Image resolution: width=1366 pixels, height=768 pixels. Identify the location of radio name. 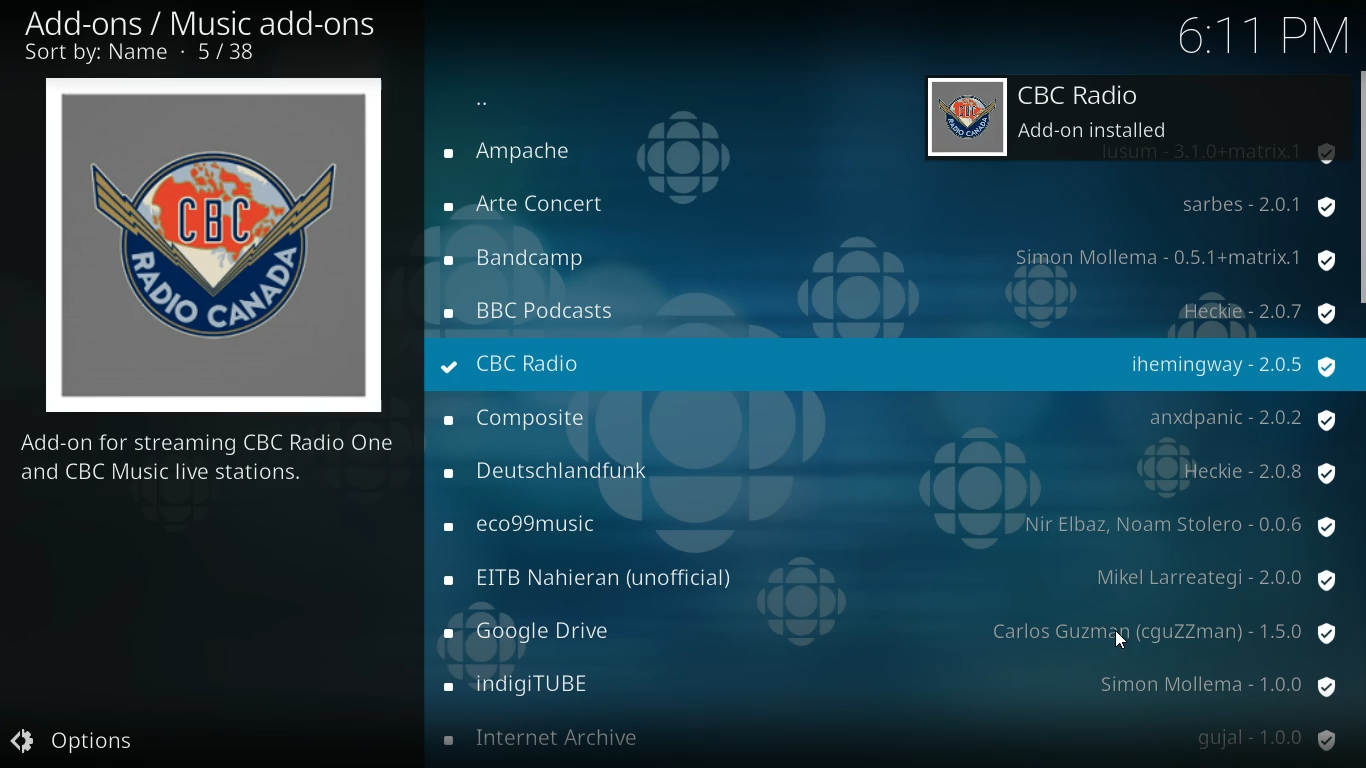
(531, 679).